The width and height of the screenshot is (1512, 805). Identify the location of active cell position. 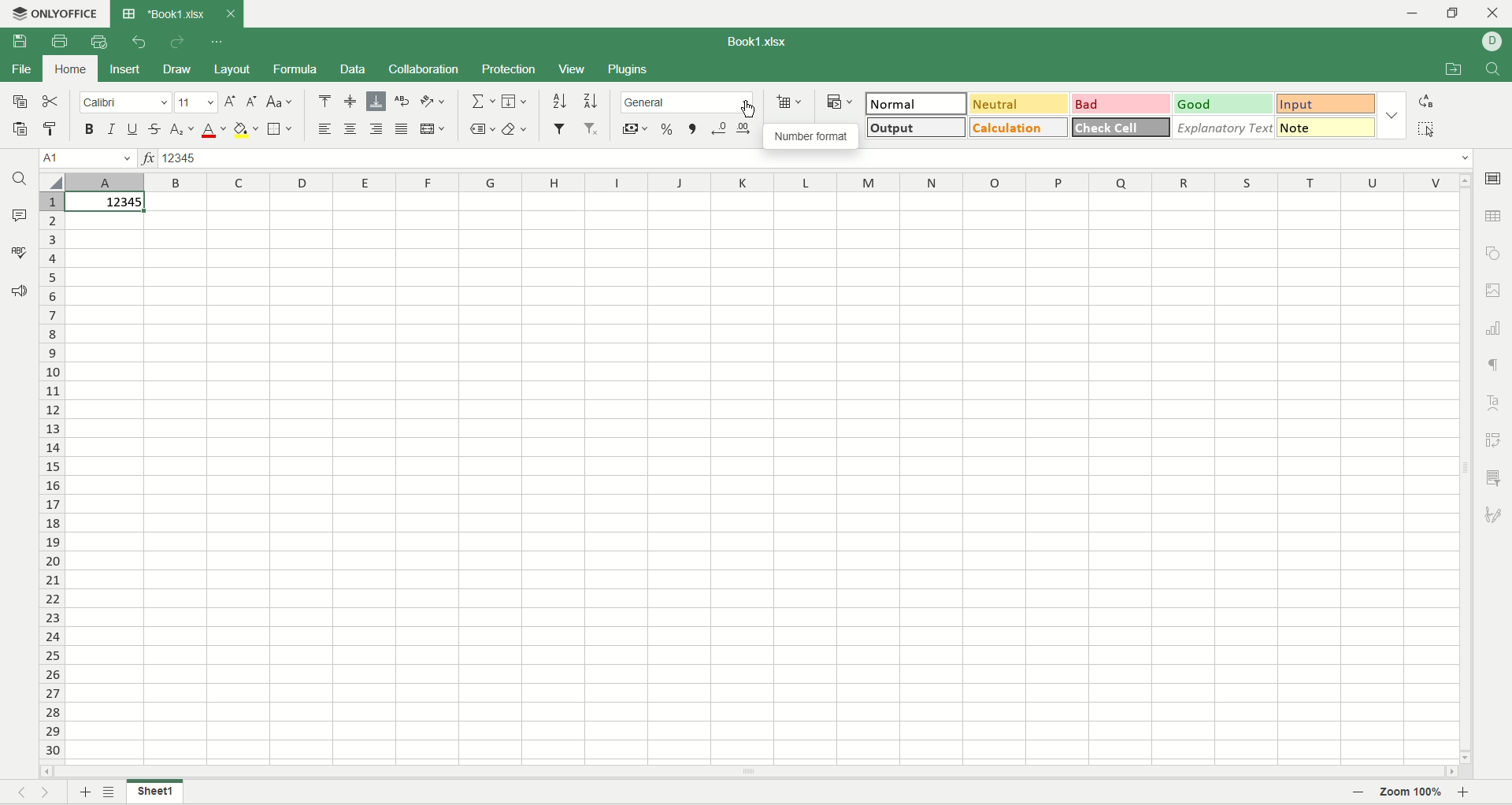
(88, 159).